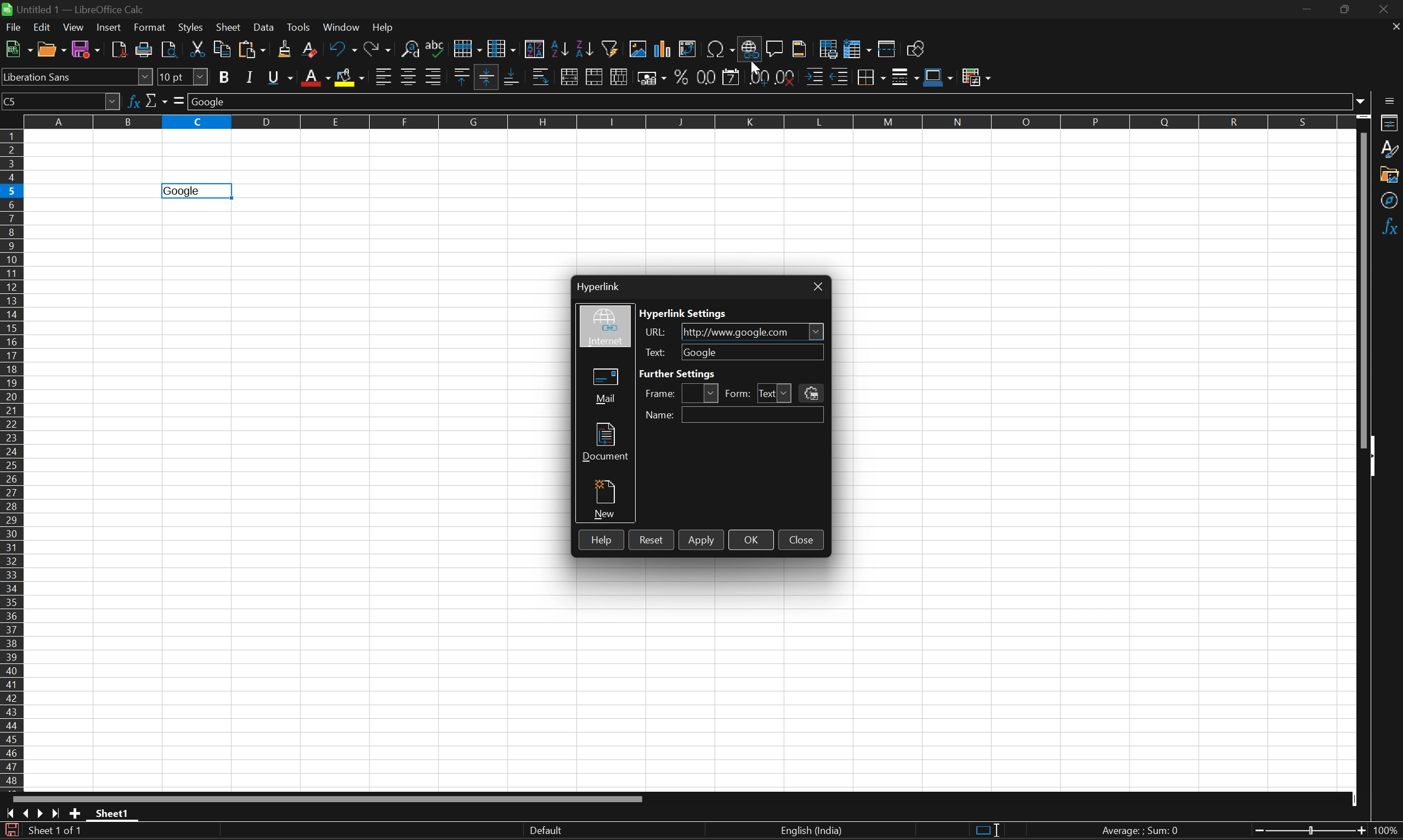 Image resolution: width=1403 pixels, height=840 pixels. Describe the element at coordinates (770, 101) in the screenshot. I see `Input line` at that location.